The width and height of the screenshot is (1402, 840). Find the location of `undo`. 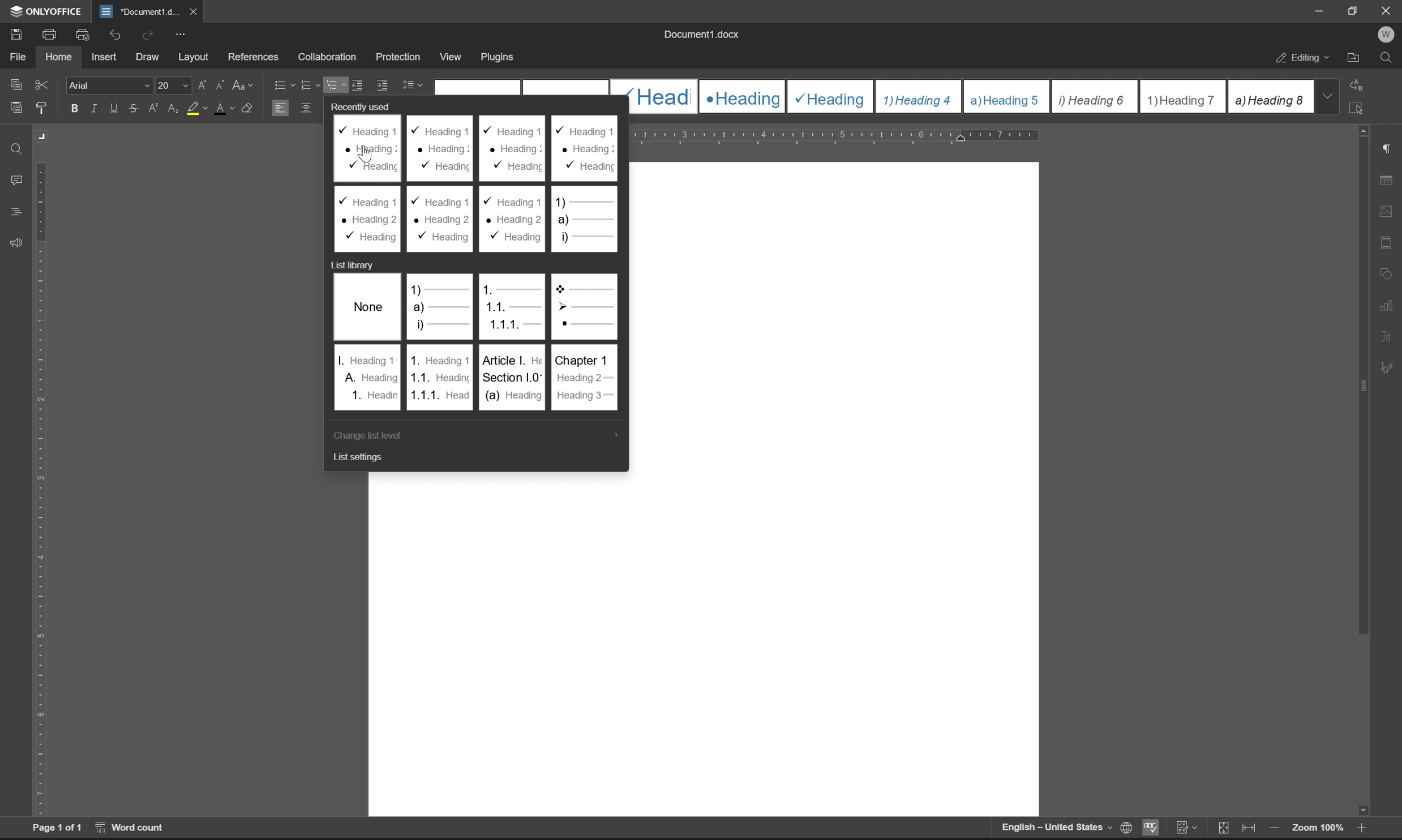

undo is located at coordinates (113, 36).